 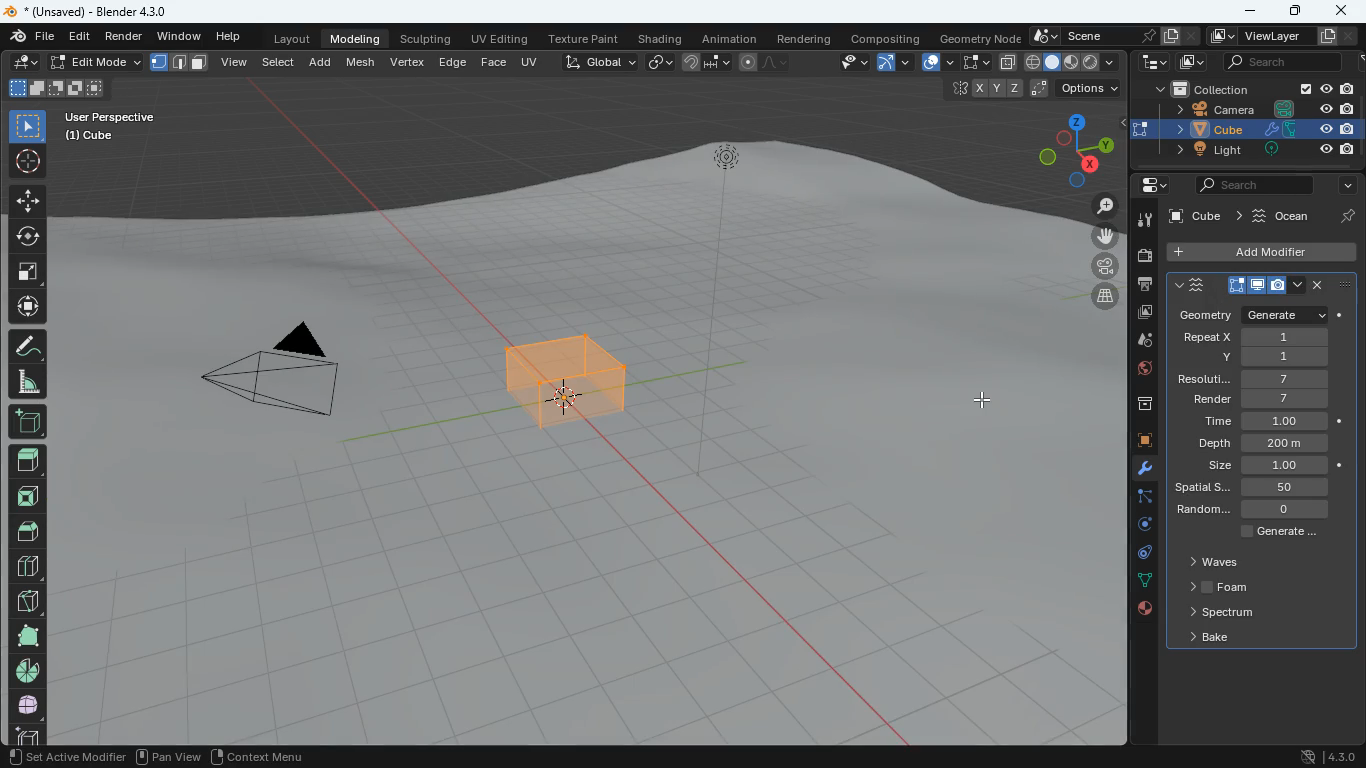 I want to click on camera, so click(x=1142, y=255).